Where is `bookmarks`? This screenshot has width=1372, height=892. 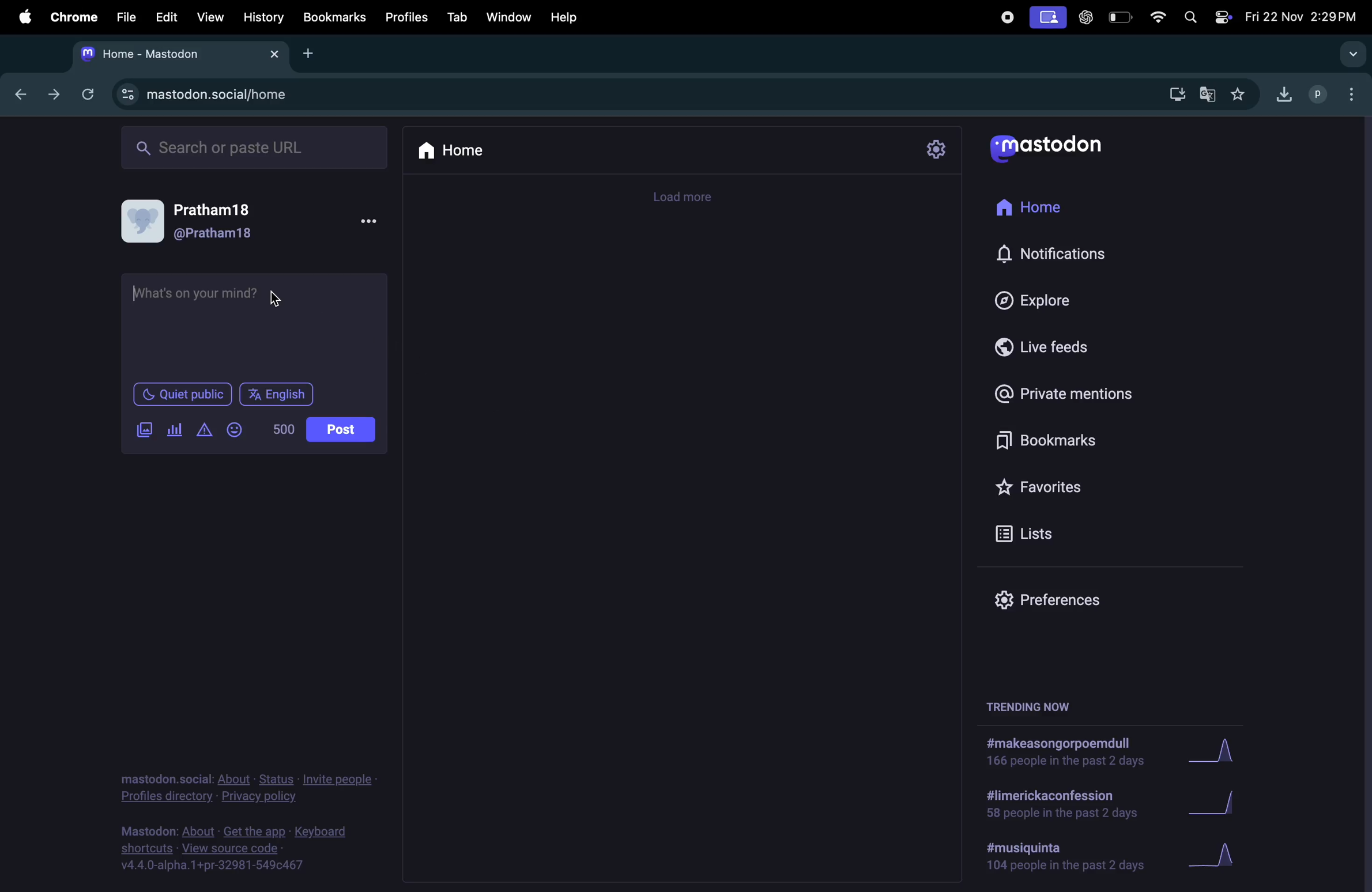 bookmarks is located at coordinates (1088, 439).